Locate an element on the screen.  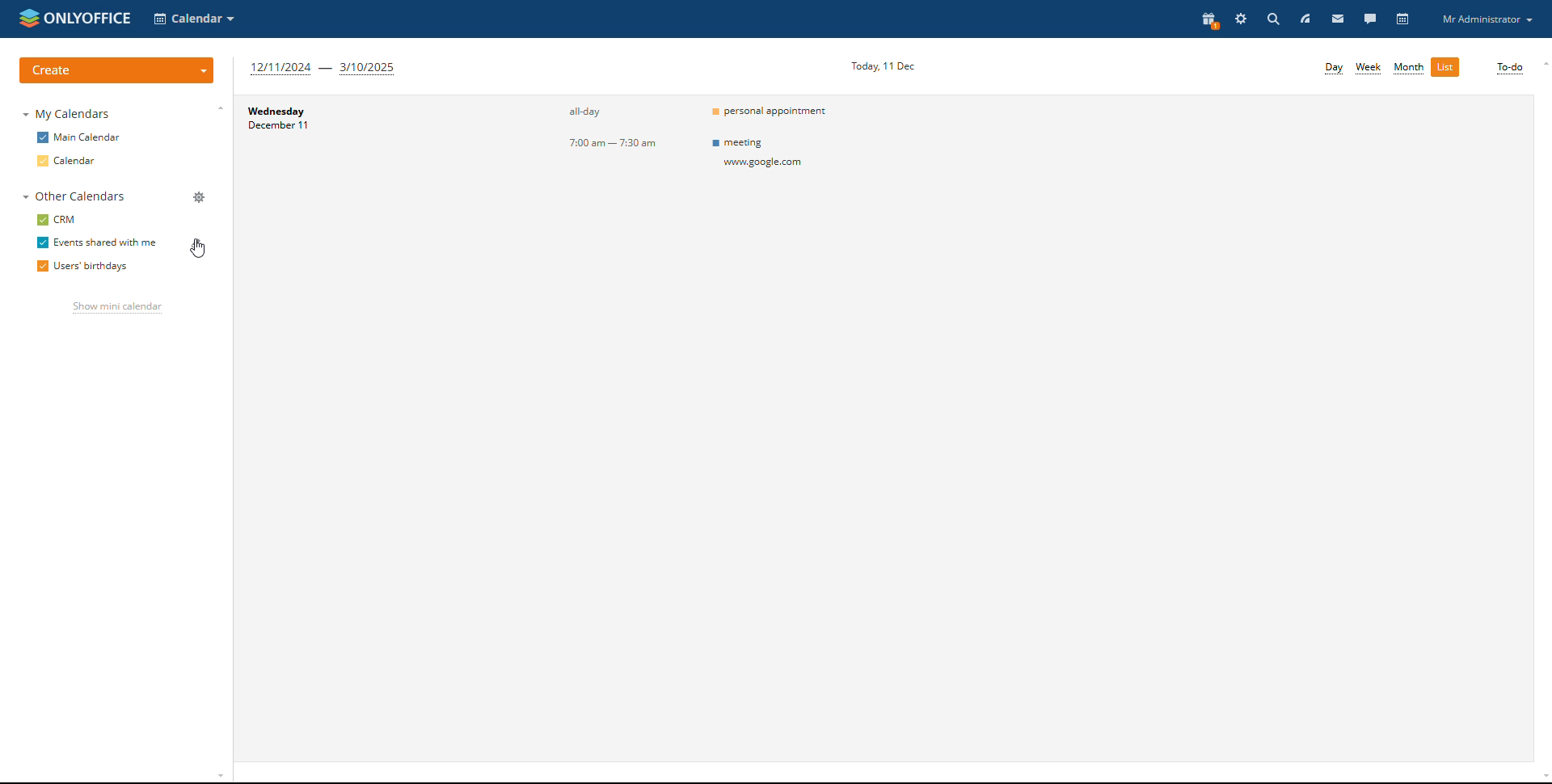
logo is located at coordinates (72, 19).